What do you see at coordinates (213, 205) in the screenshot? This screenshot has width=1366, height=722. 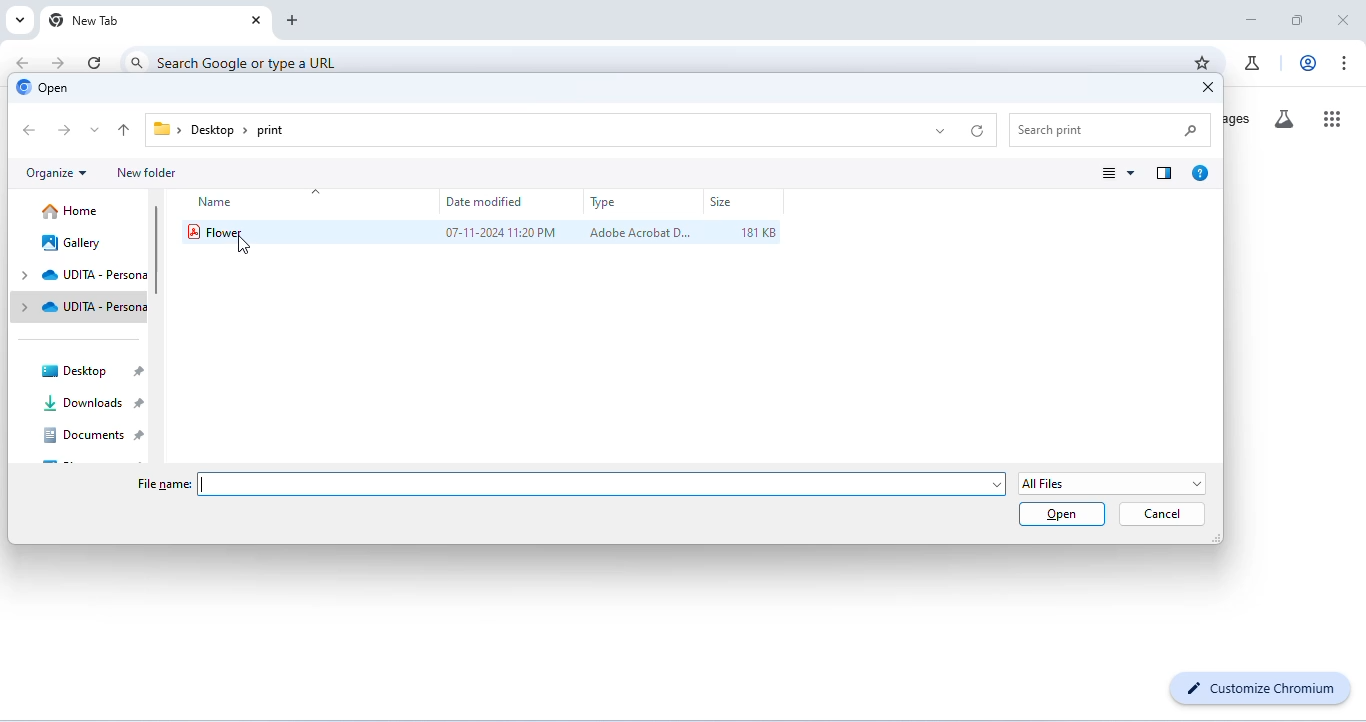 I see `name` at bounding box center [213, 205].